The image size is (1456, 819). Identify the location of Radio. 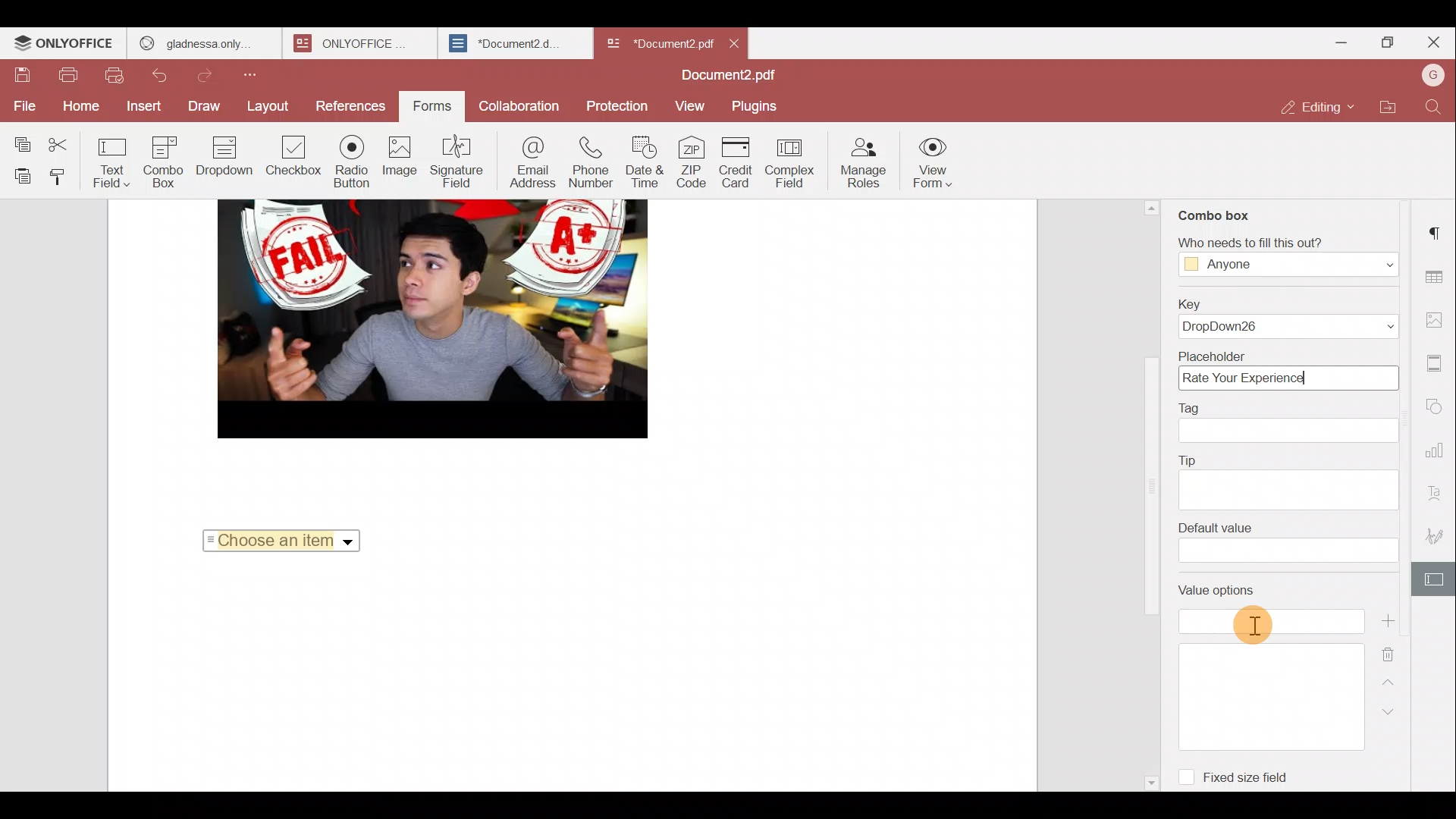
(352, 162).